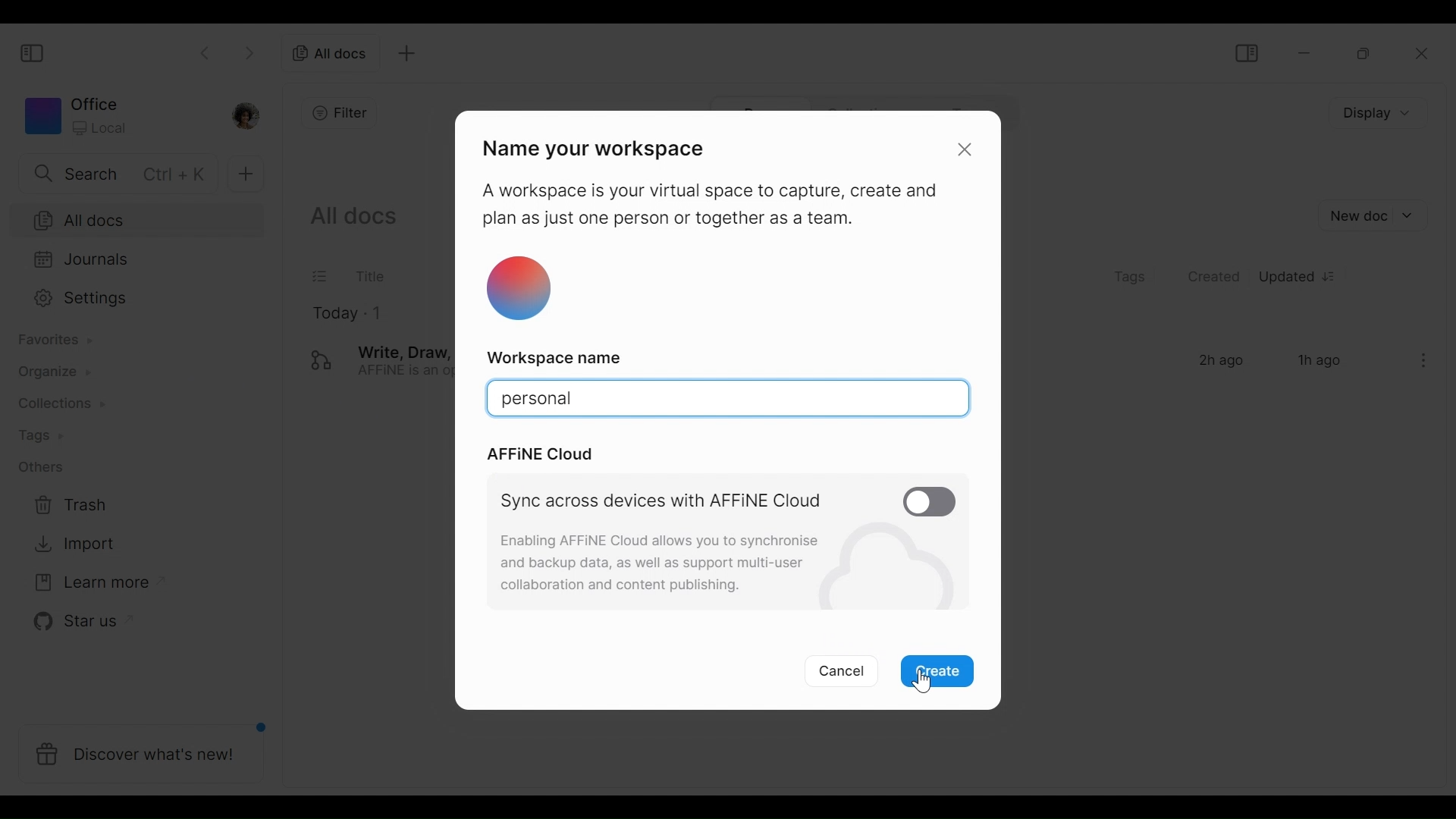  What do you see at coordinates (1421, 52) in the screenshot?
I see `Close` at bounding box center [1421, 52].